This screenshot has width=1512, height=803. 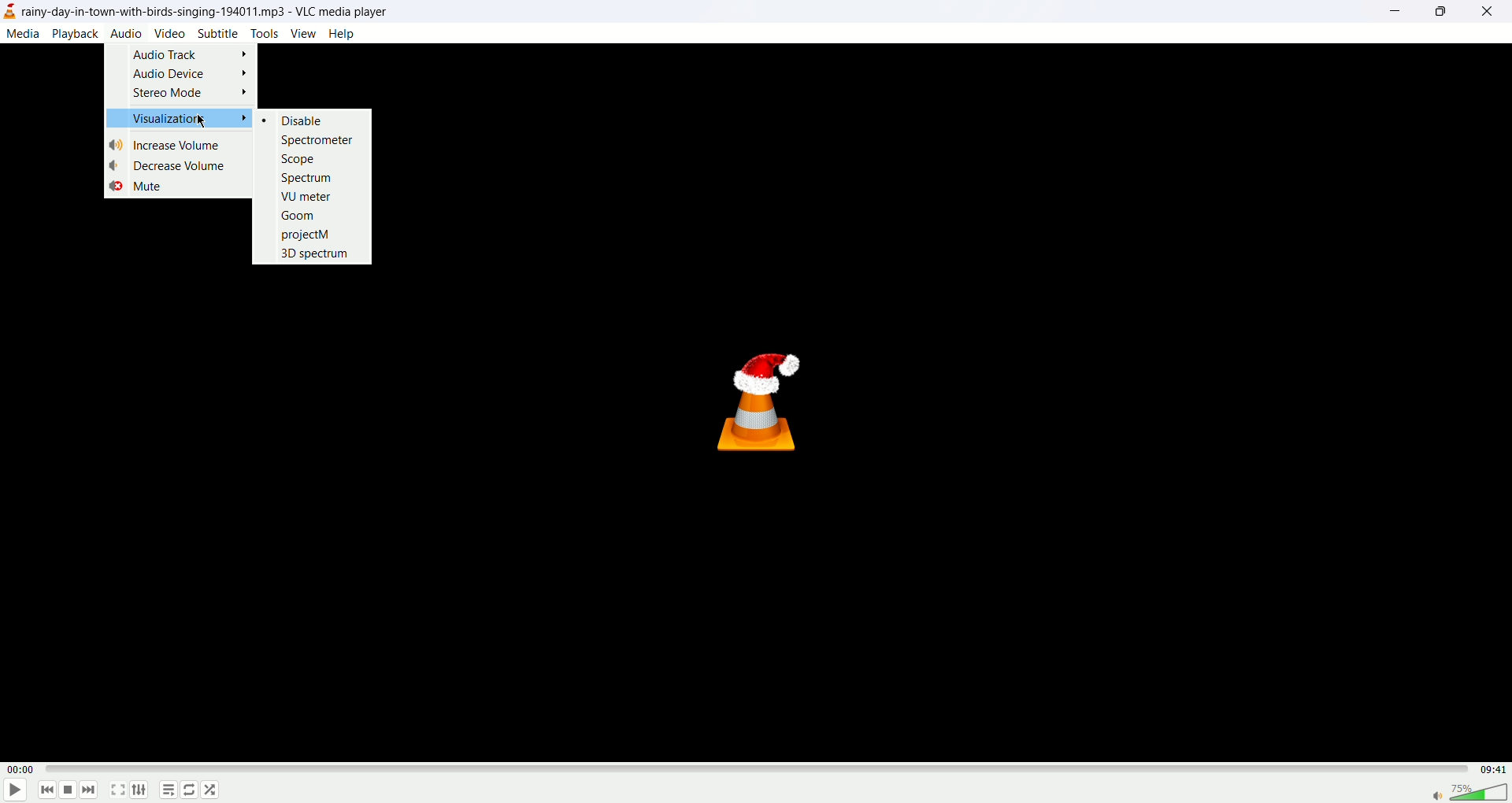 What do you see at coordinates (188, 94) in the screenshot?
I see `stereo mode` at bounding box center [188, 94].